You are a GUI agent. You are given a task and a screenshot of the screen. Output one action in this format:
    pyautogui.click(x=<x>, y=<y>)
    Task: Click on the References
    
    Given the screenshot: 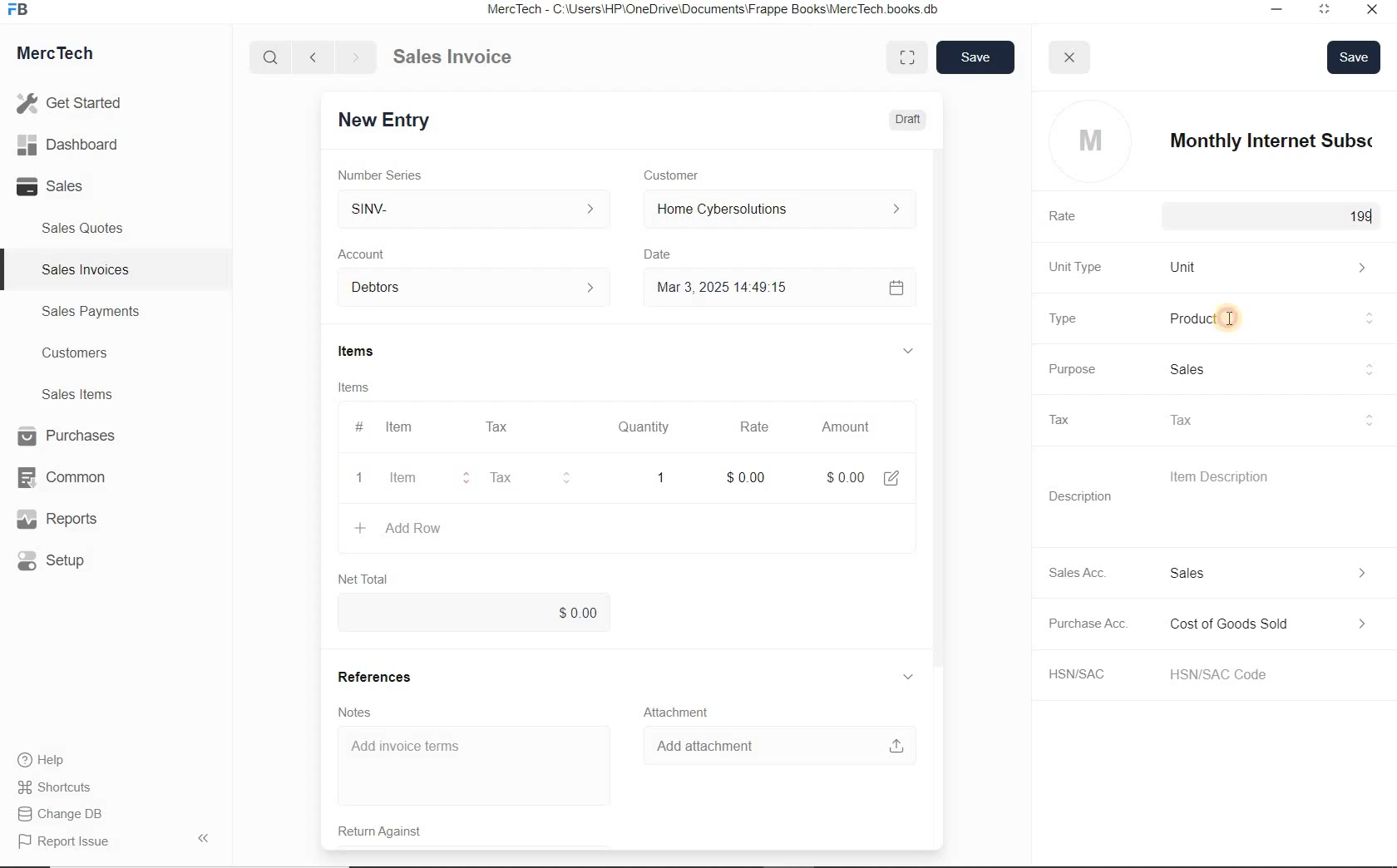 What is the action you would take?
    pyautogui.click(x=378, y=675)
    